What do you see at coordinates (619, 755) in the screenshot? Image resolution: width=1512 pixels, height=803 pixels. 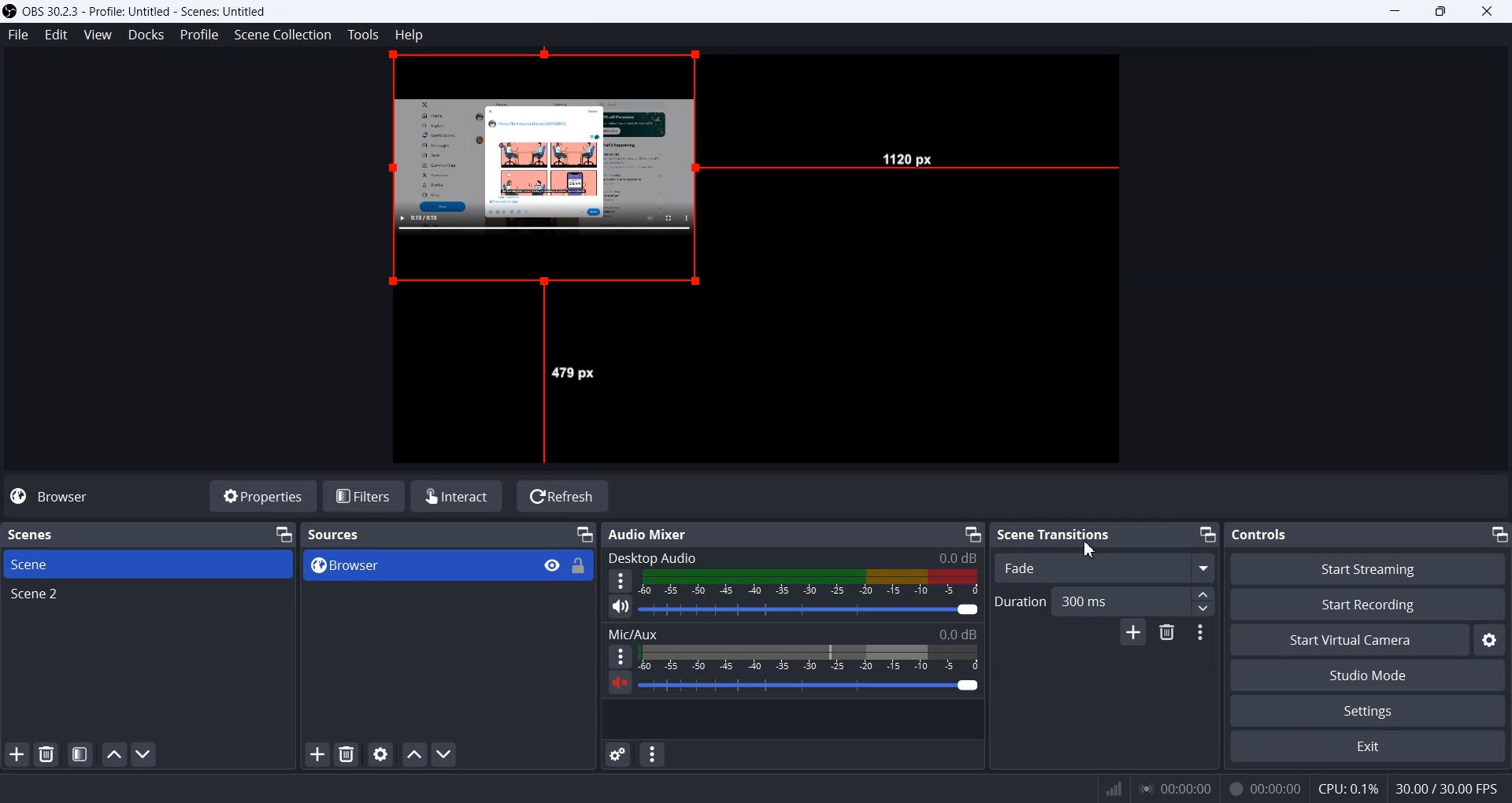 I see `Advance audio properties` at bounding box center [619, 755].